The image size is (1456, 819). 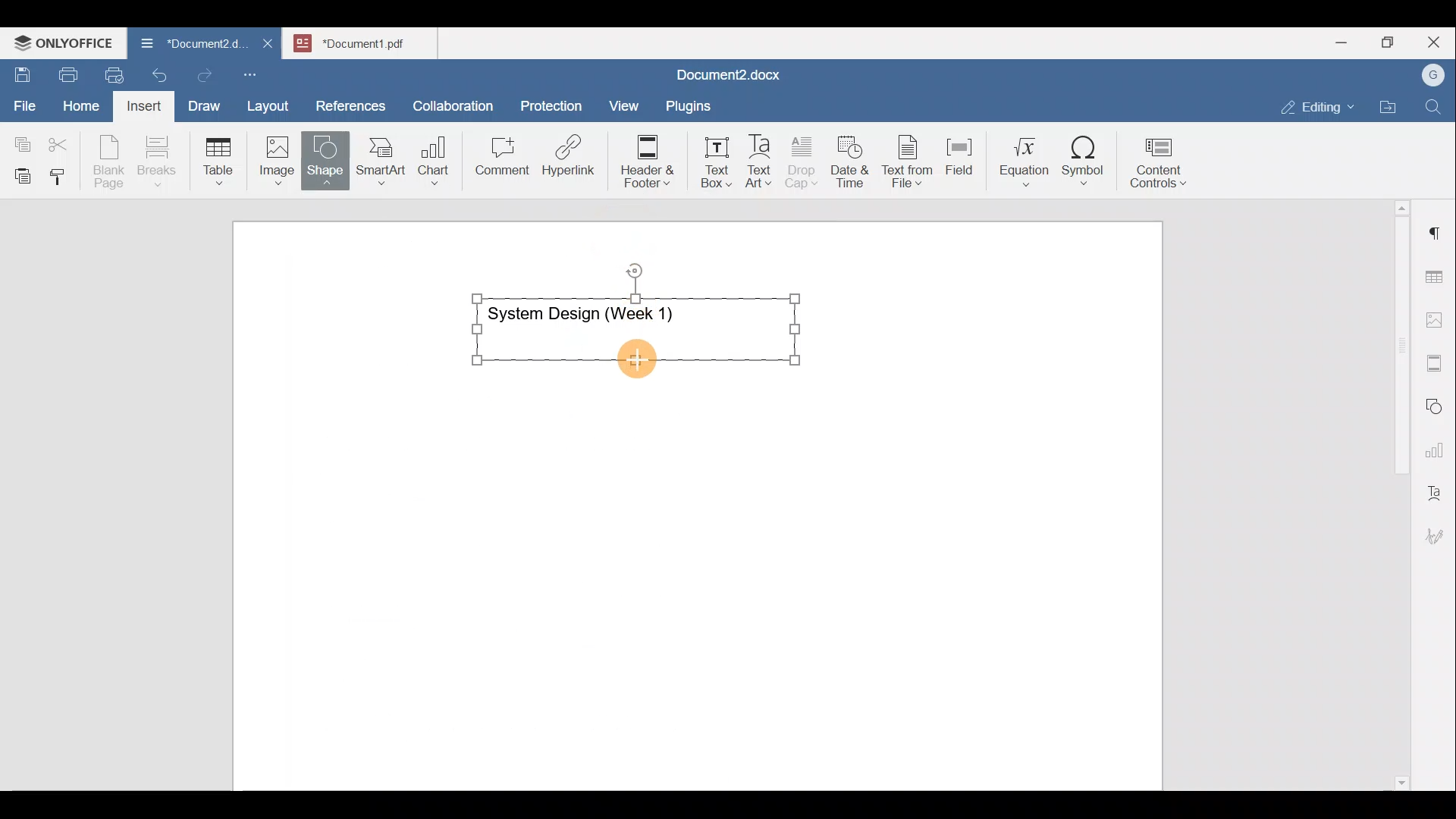 I want to click on Plugins, so click(x=693, y=104).